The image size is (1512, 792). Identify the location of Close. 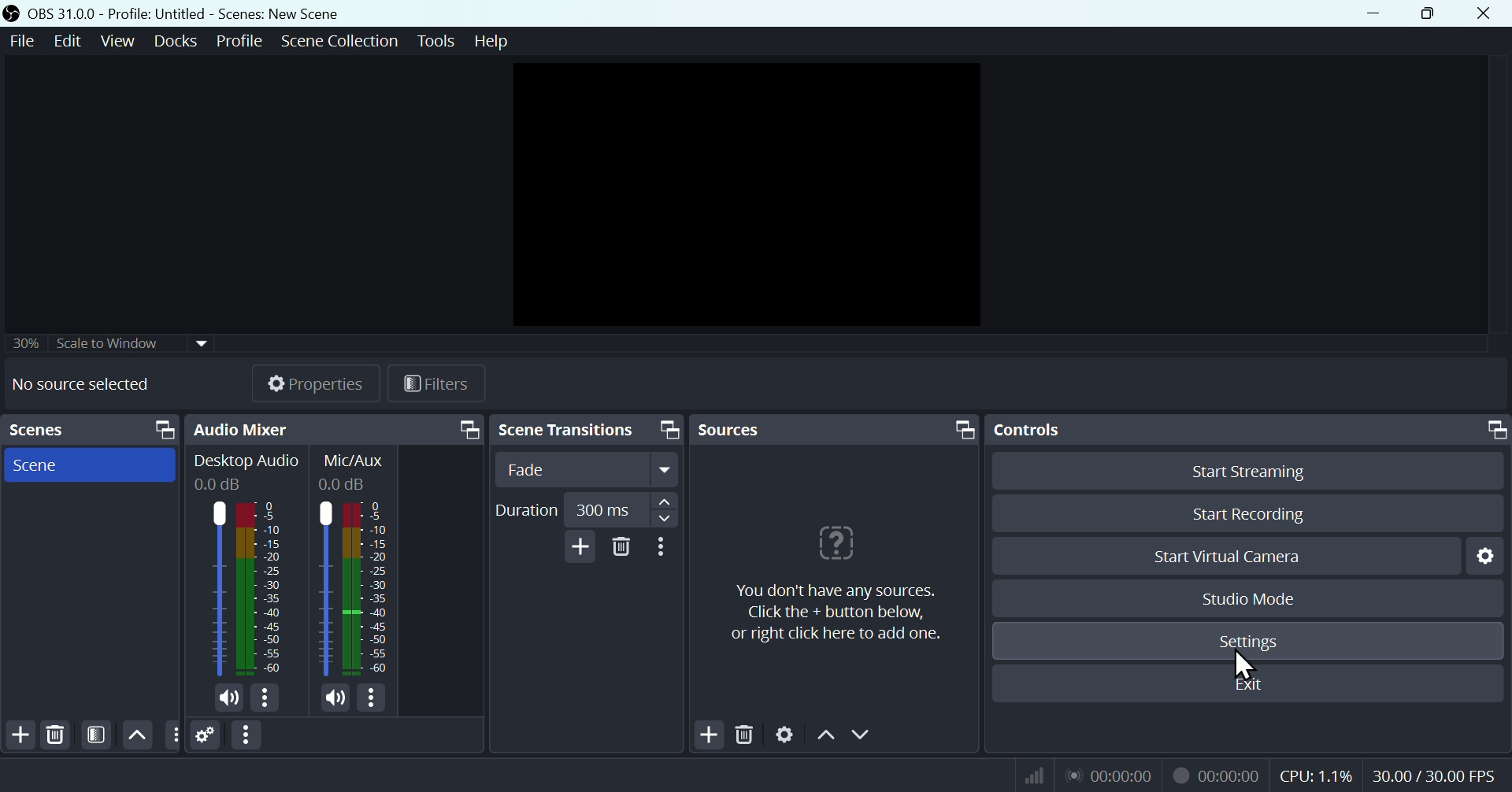
(1480, 14).